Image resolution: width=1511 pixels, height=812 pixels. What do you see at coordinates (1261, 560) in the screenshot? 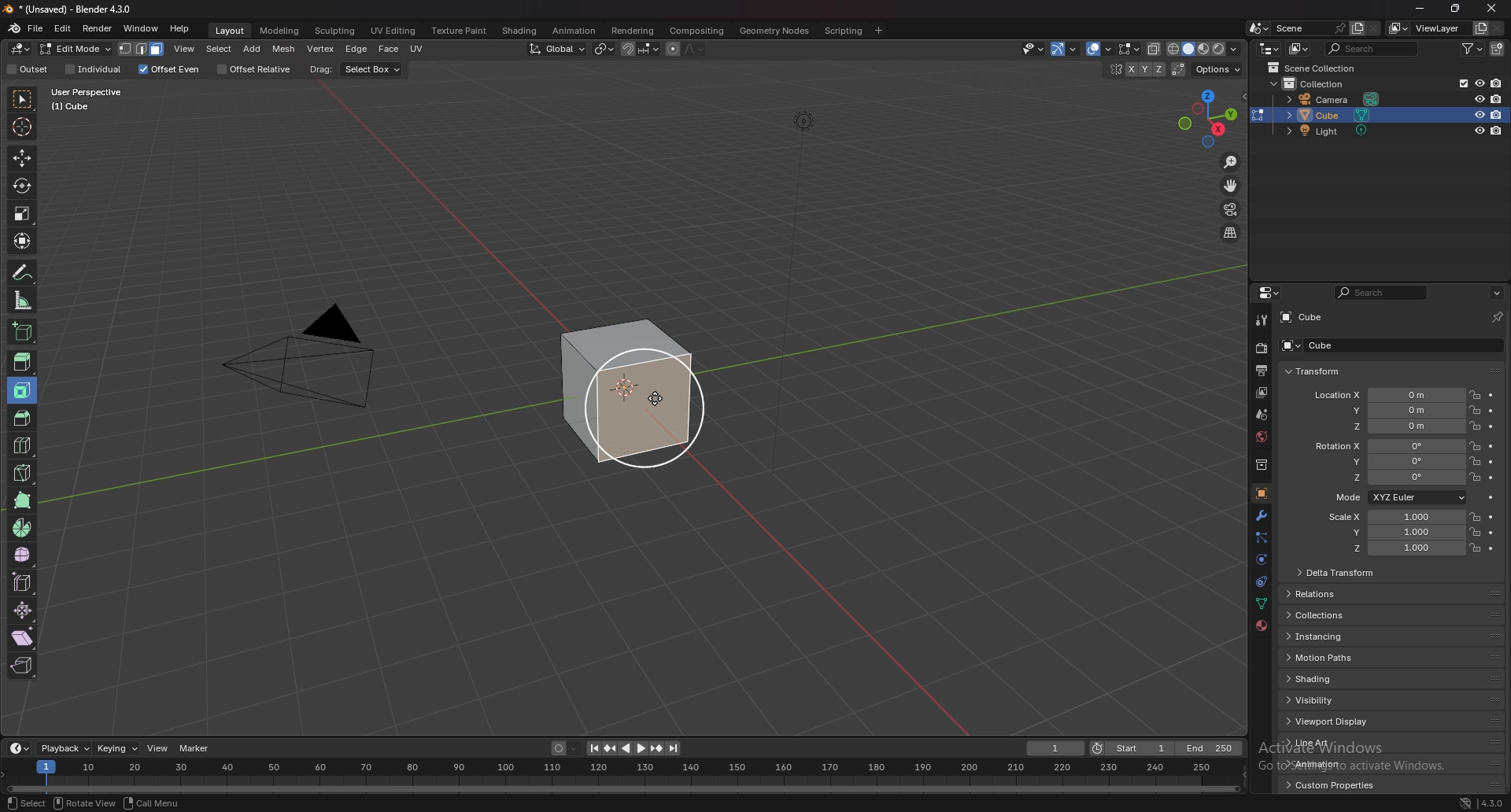
I see `physics` at bounding box center [1261, 560].